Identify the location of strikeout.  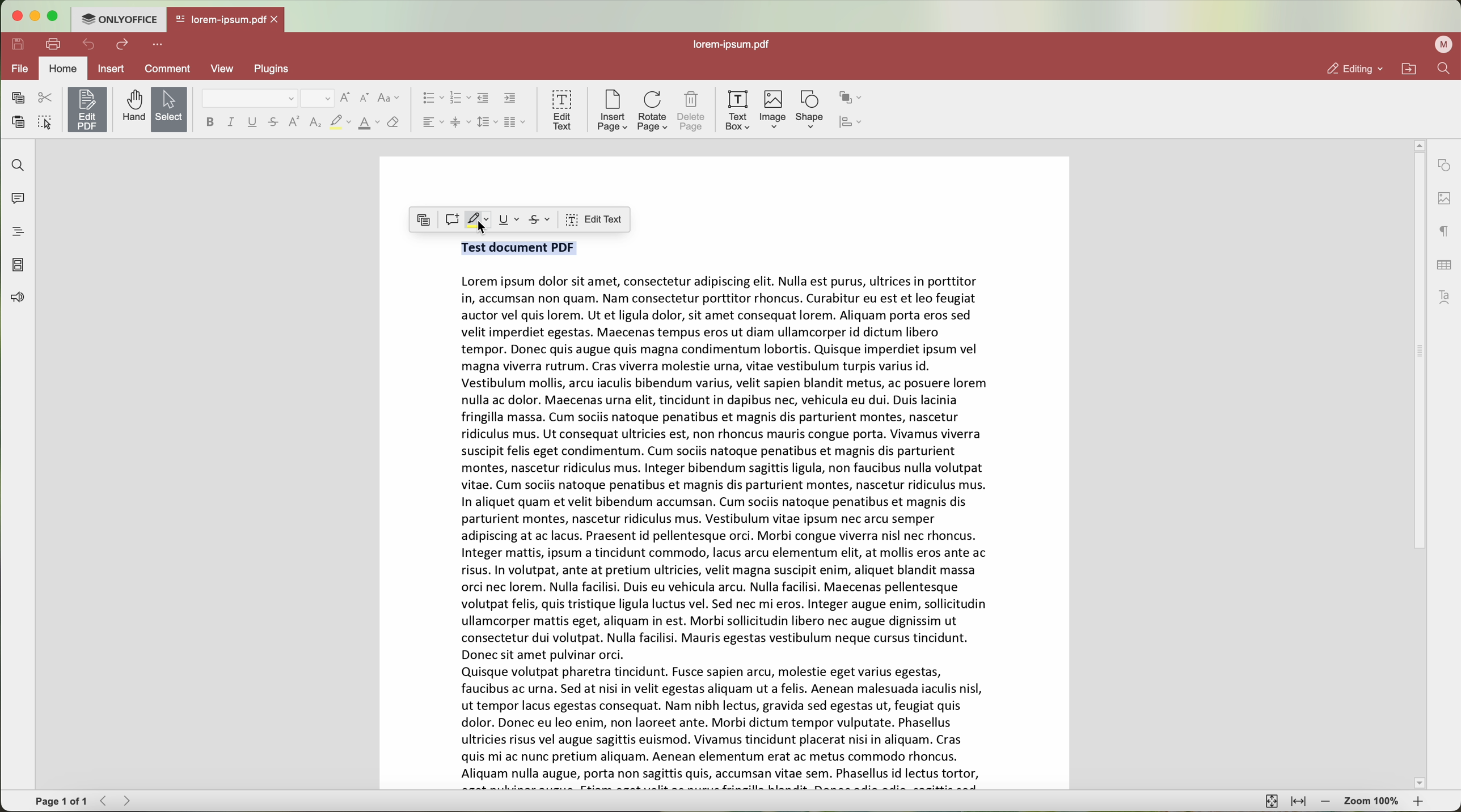
(273, 124).